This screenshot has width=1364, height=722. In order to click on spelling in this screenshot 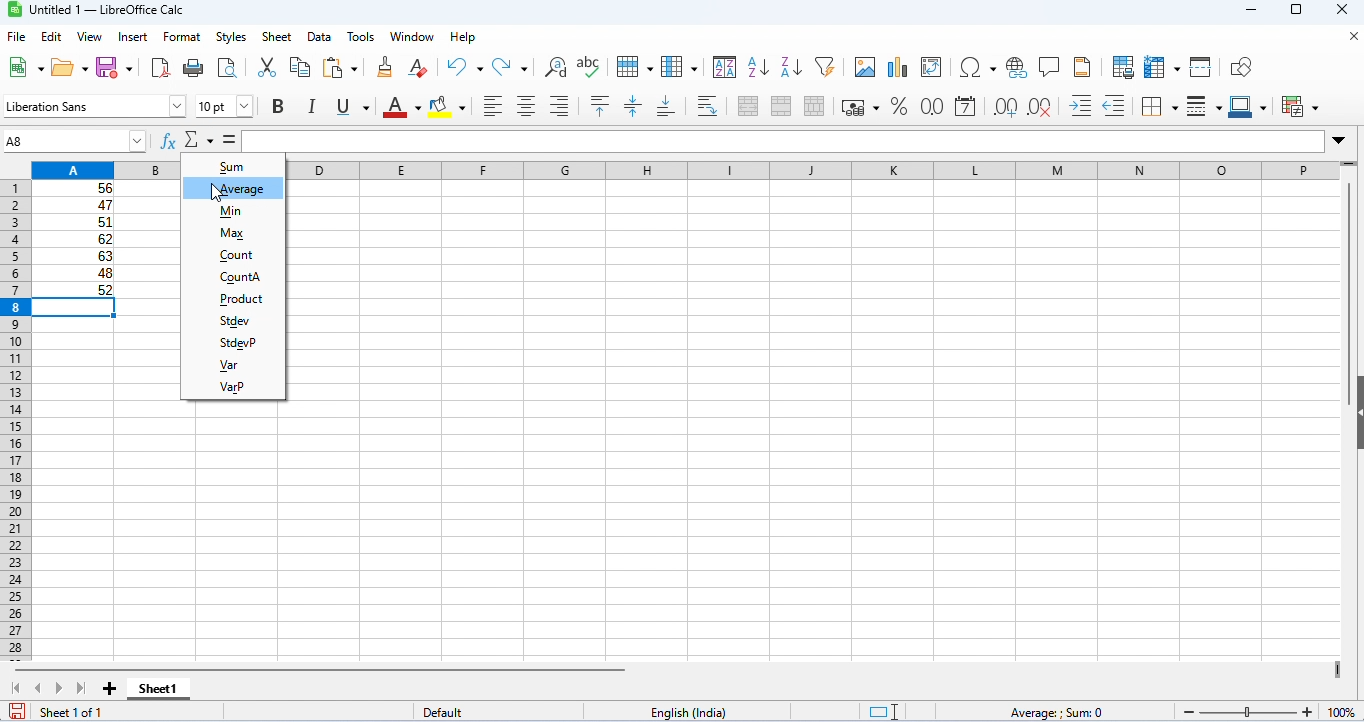, I will do `click(590, 66)`.